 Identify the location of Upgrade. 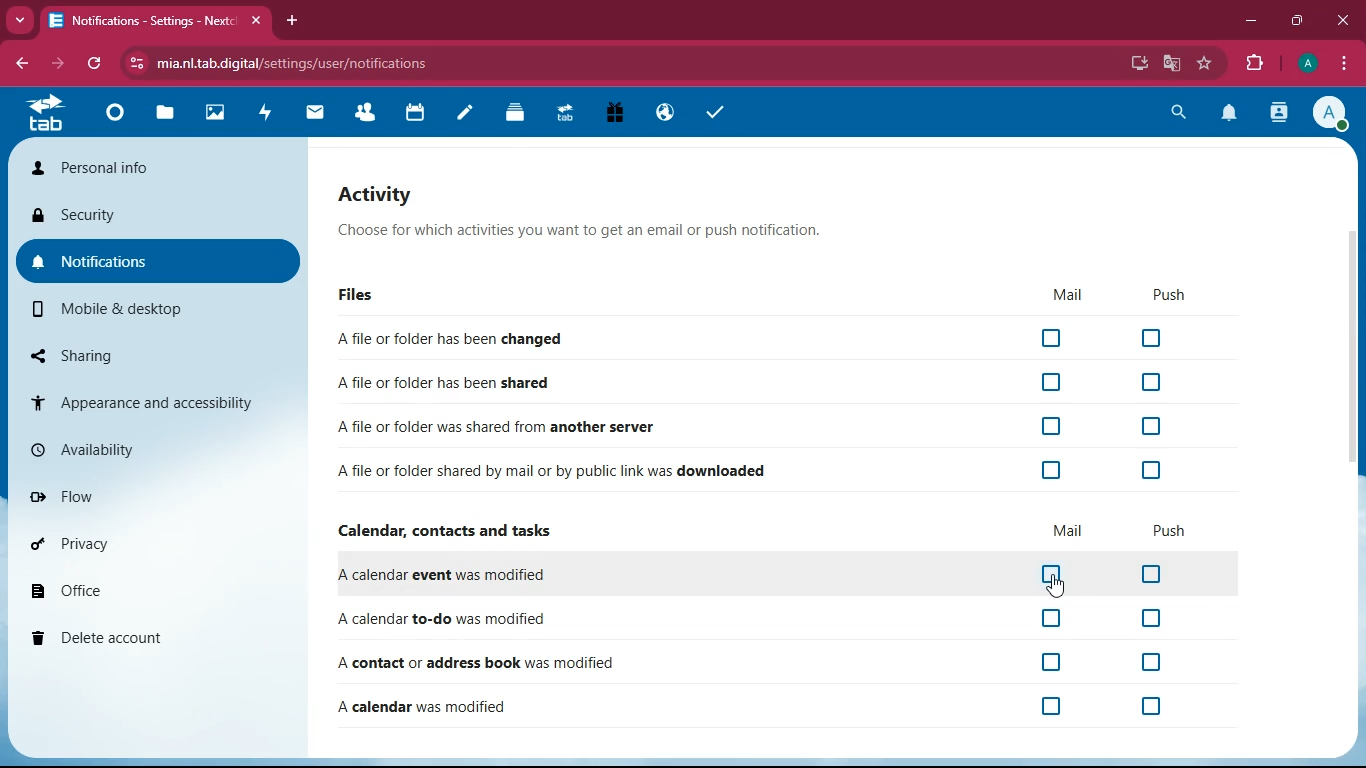
(566, 115).